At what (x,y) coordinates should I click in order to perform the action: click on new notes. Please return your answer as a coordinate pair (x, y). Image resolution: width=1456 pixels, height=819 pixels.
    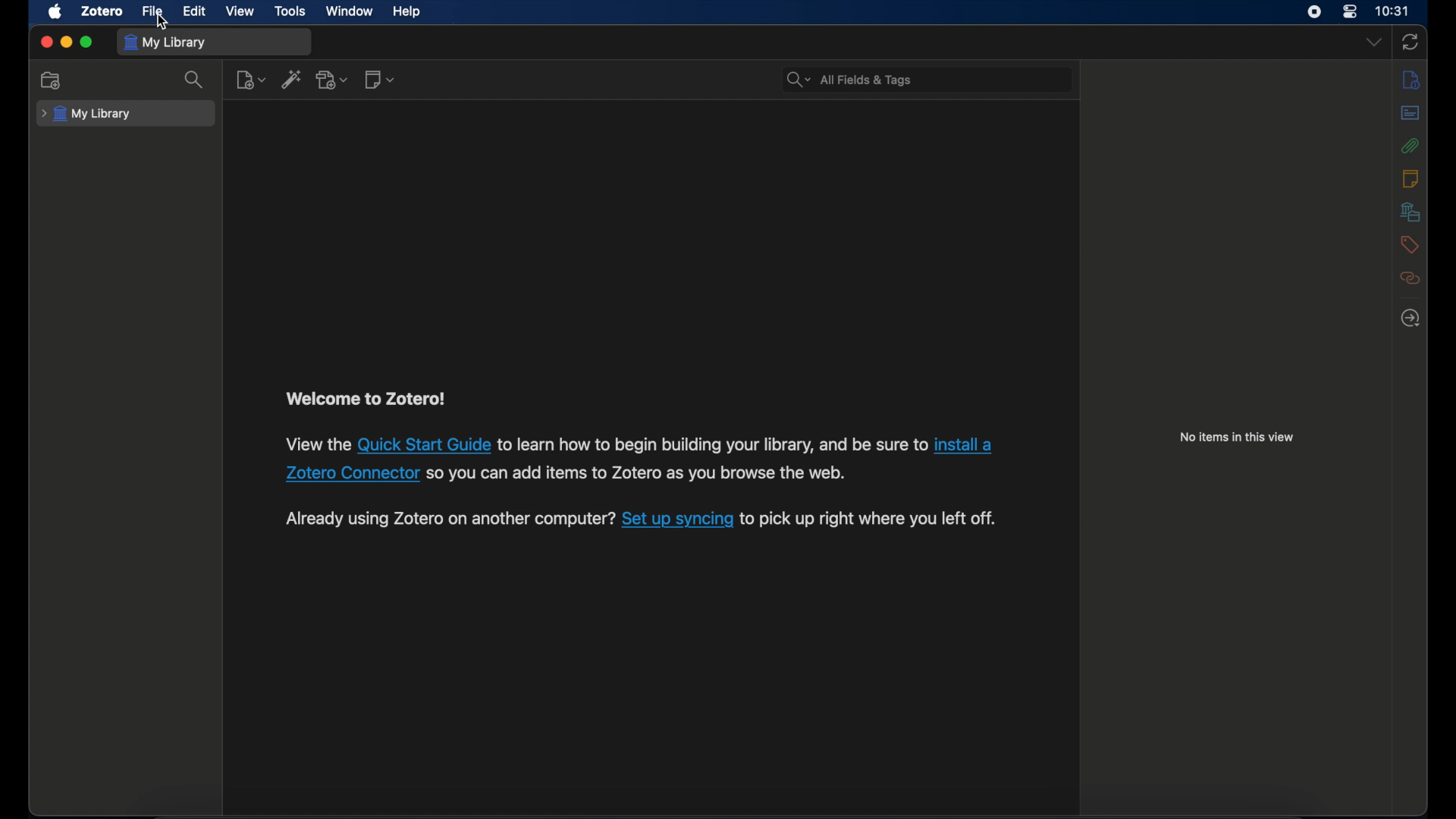
    Looking at the image, I should click on (379, 79).